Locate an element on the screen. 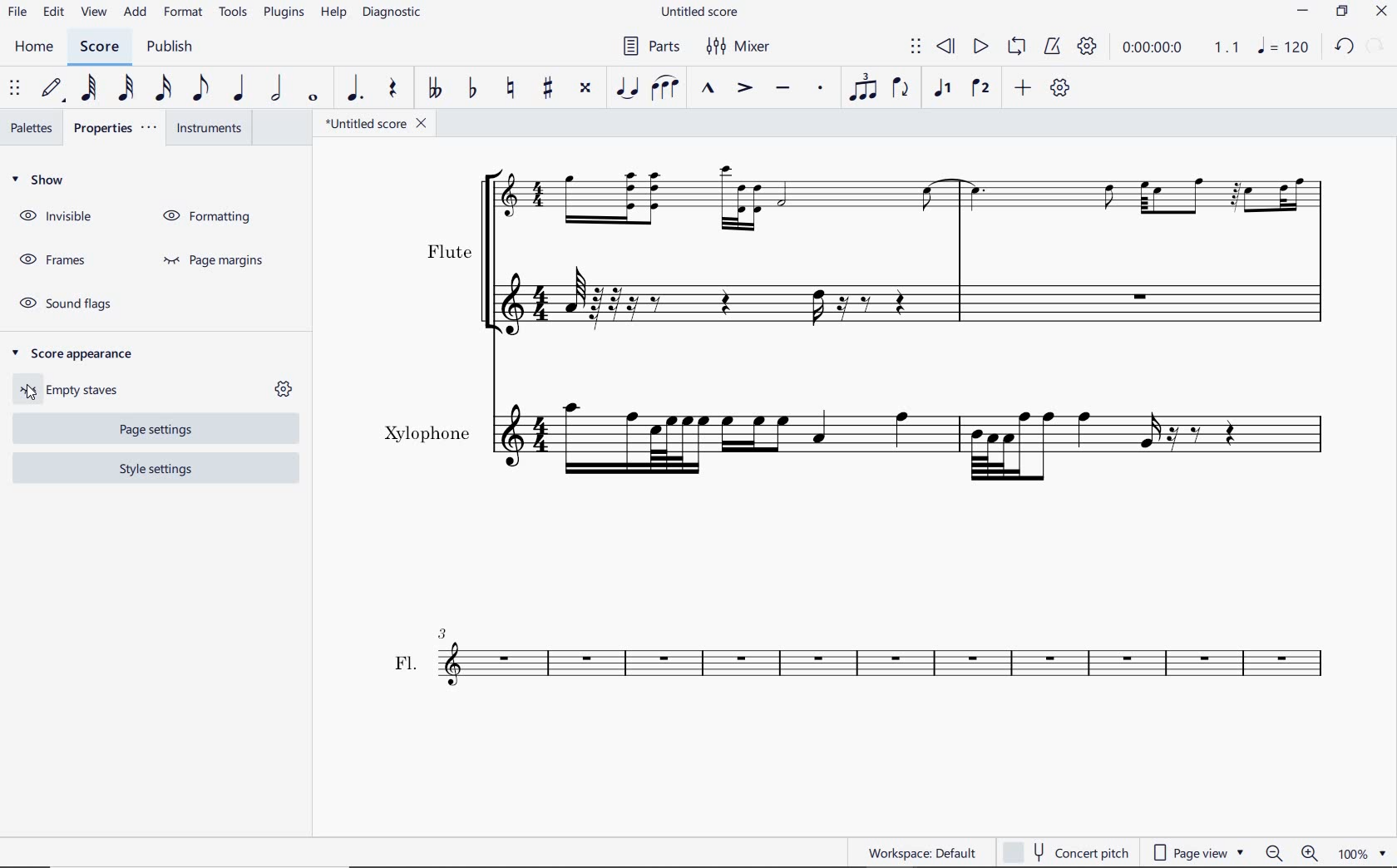 The image size is (1397, 868). METRONOME is located at coordinates (1054, 48).